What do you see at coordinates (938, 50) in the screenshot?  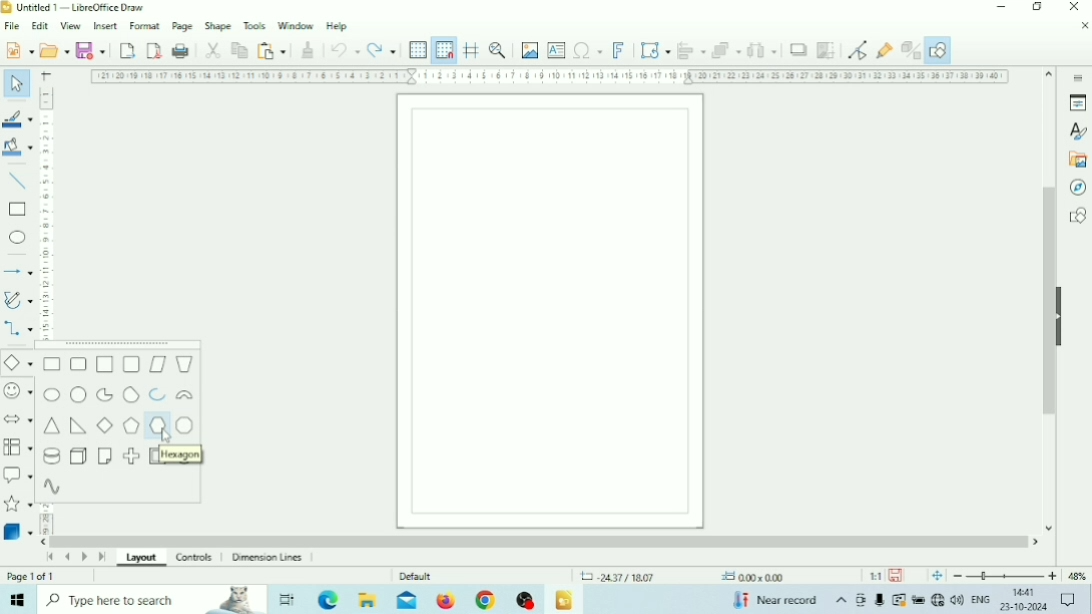 I see `Show Draw Functions` at bounding box center [938, 50].